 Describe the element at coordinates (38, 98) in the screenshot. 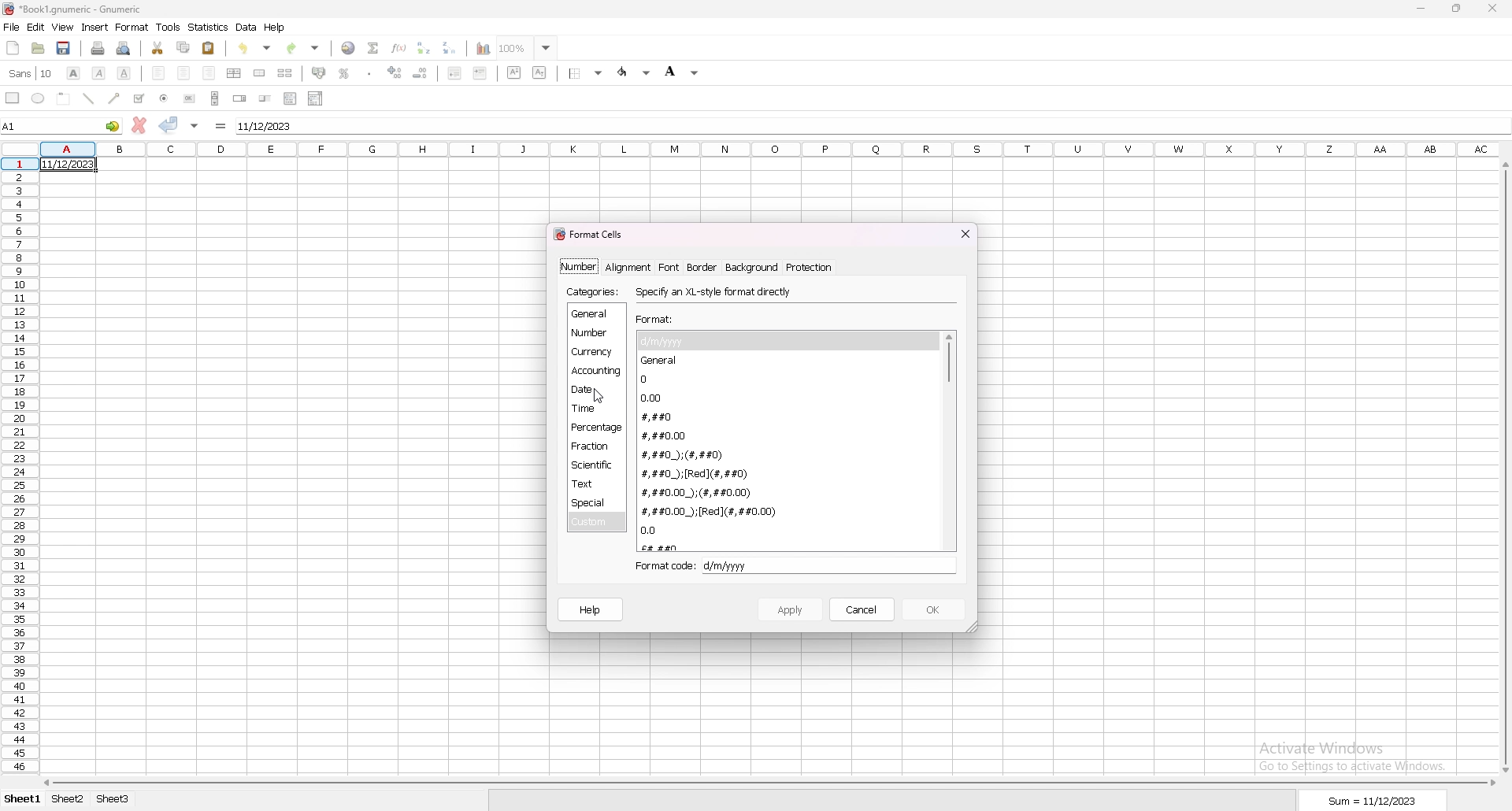

I see `ellipse` at that location.